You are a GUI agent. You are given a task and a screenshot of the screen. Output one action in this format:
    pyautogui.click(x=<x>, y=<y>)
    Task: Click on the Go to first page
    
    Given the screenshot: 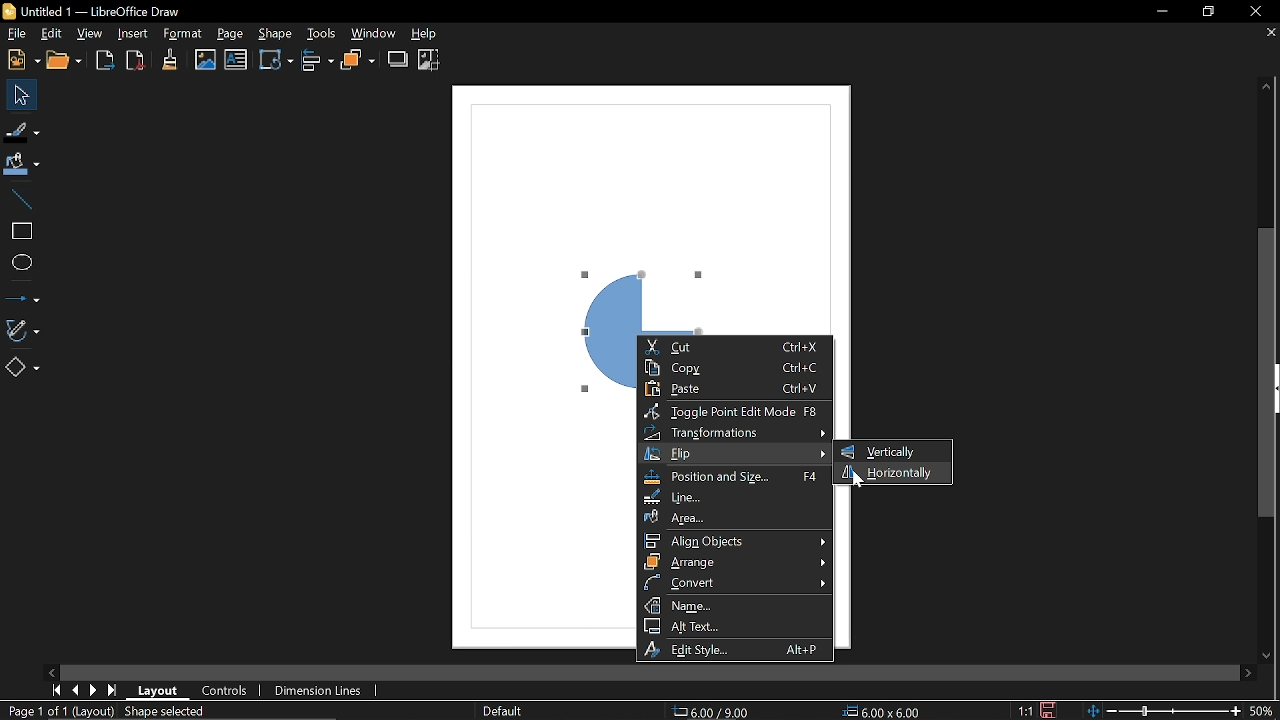 What is the action you would take?
    pyautogui.click(x=58, y=690)
    